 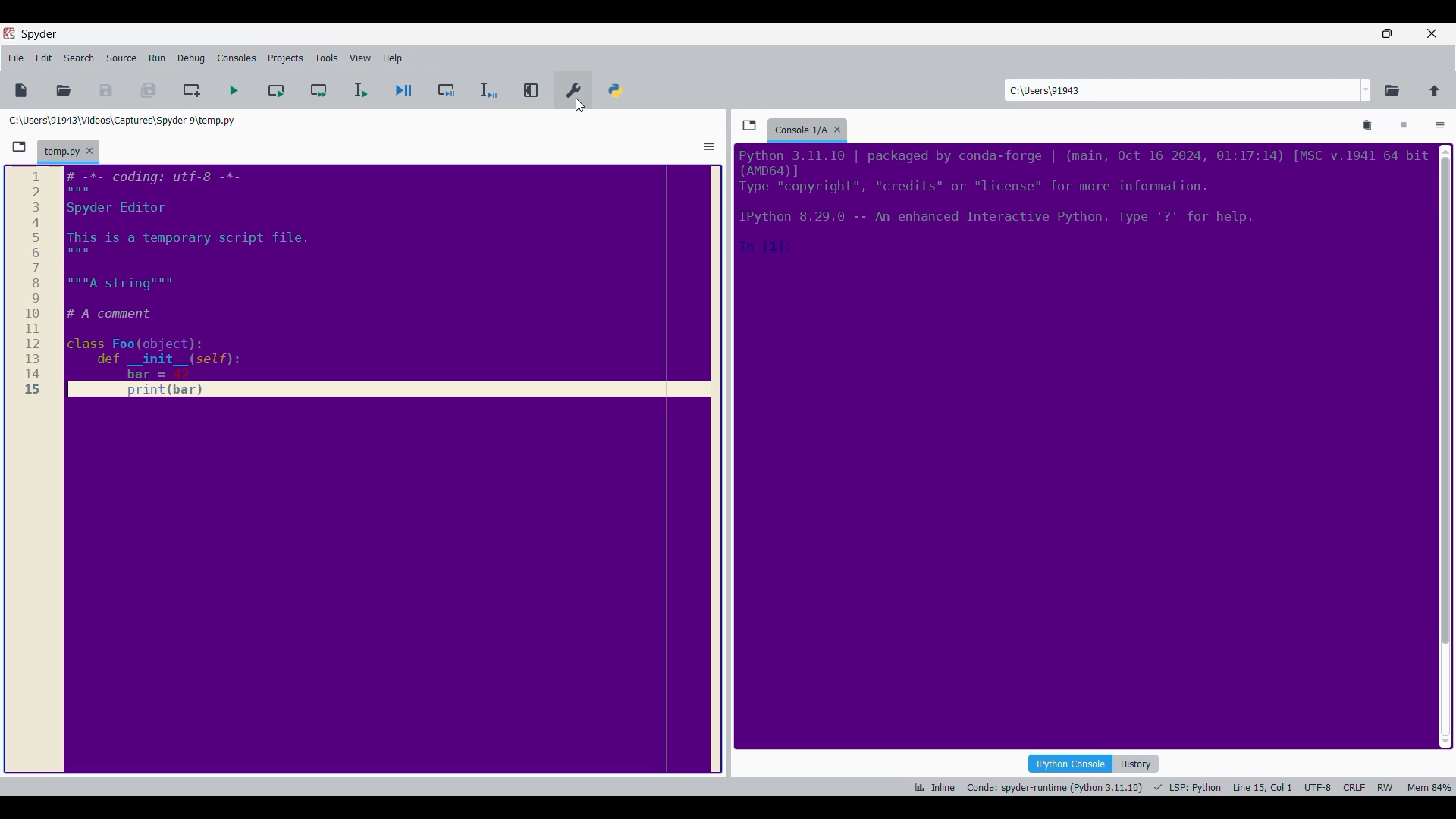 I want to click on IPython console, so click(x=1070, y=764).